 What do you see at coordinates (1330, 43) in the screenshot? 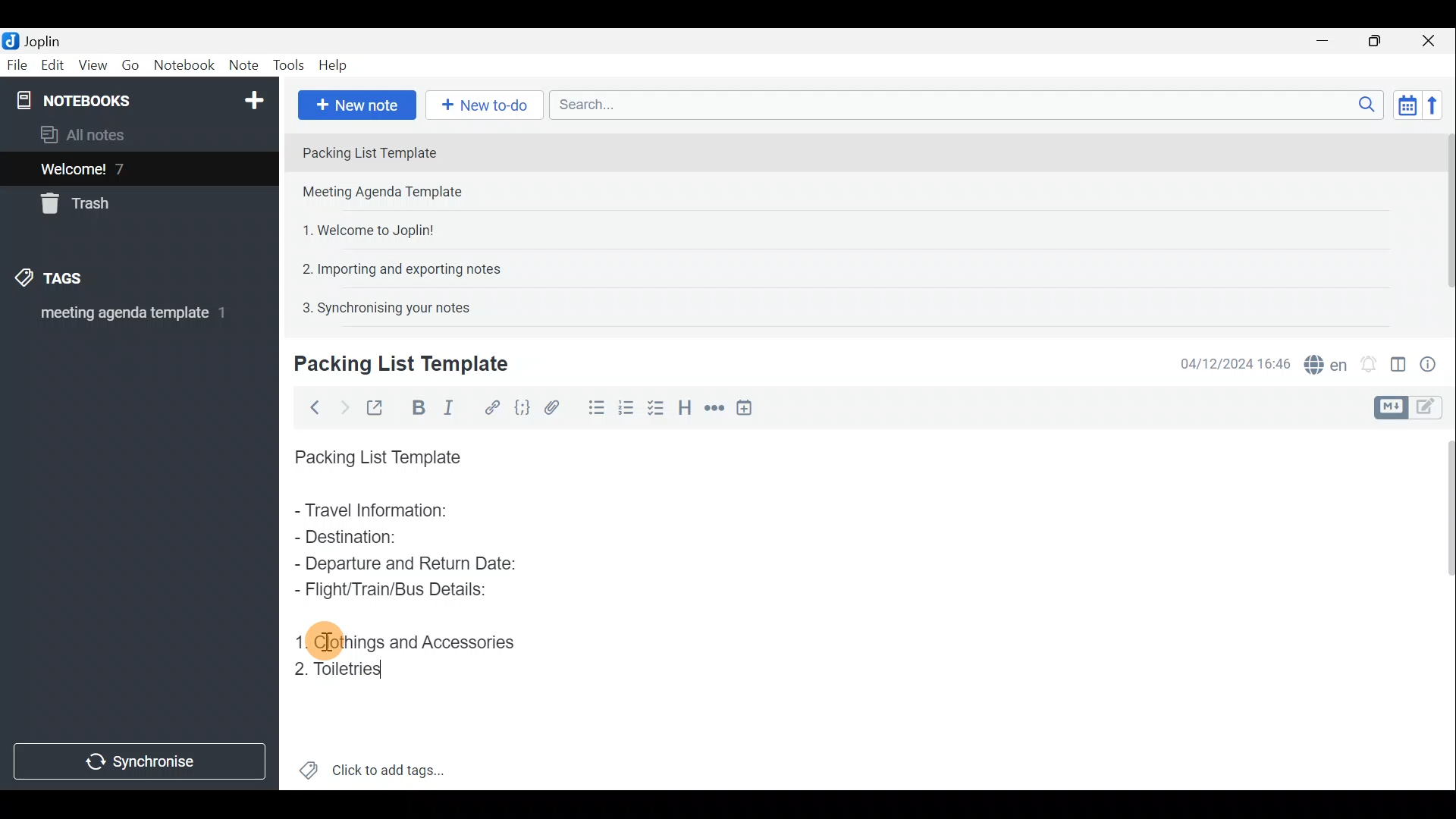
I see `Minimise` at bounding box center [1330, 43].